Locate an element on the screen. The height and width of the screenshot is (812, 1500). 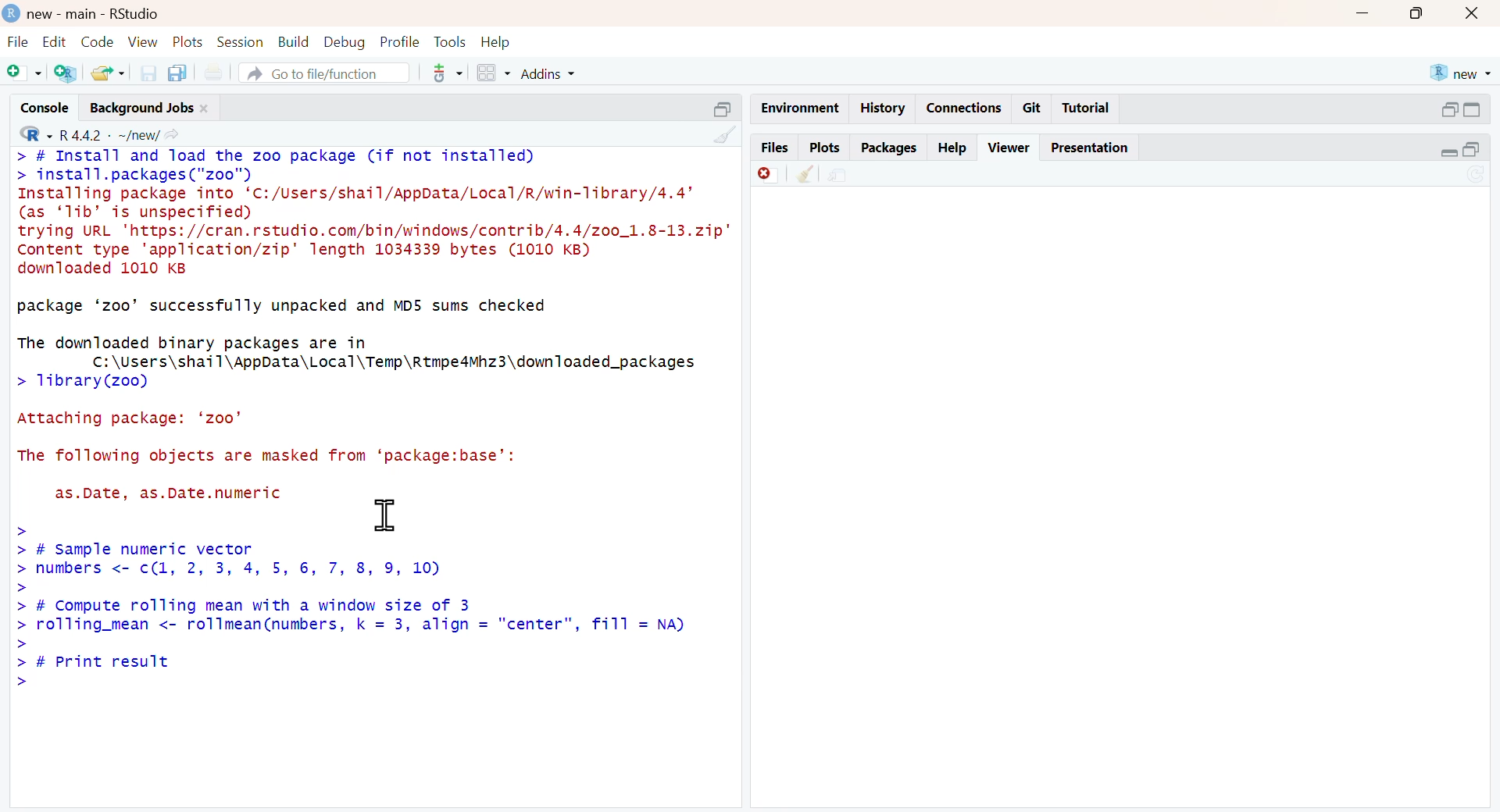
maximise is located at coordinates (1417, 13).